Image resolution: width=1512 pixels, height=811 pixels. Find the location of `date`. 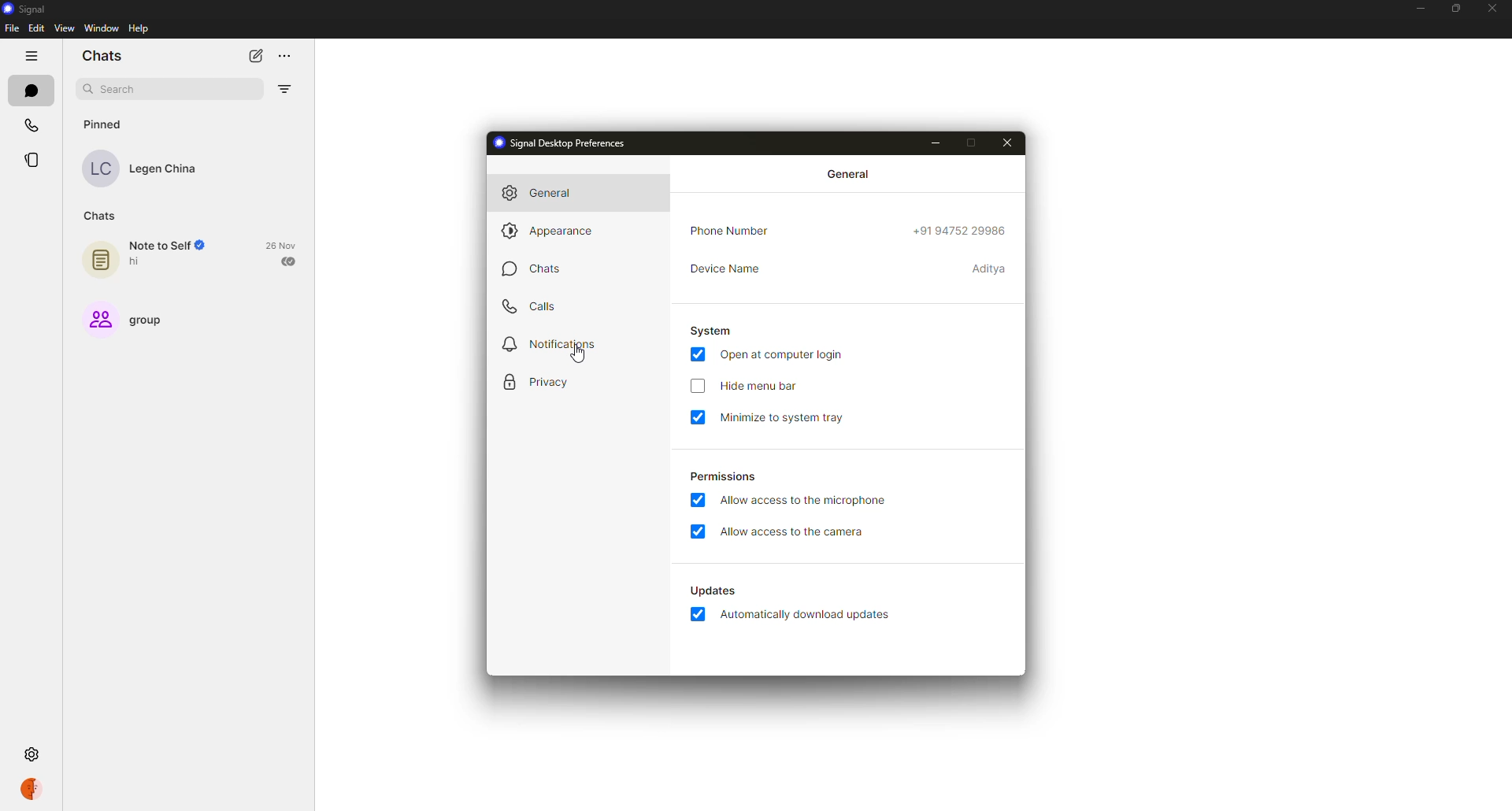

date is located at coordinates (281, 244).